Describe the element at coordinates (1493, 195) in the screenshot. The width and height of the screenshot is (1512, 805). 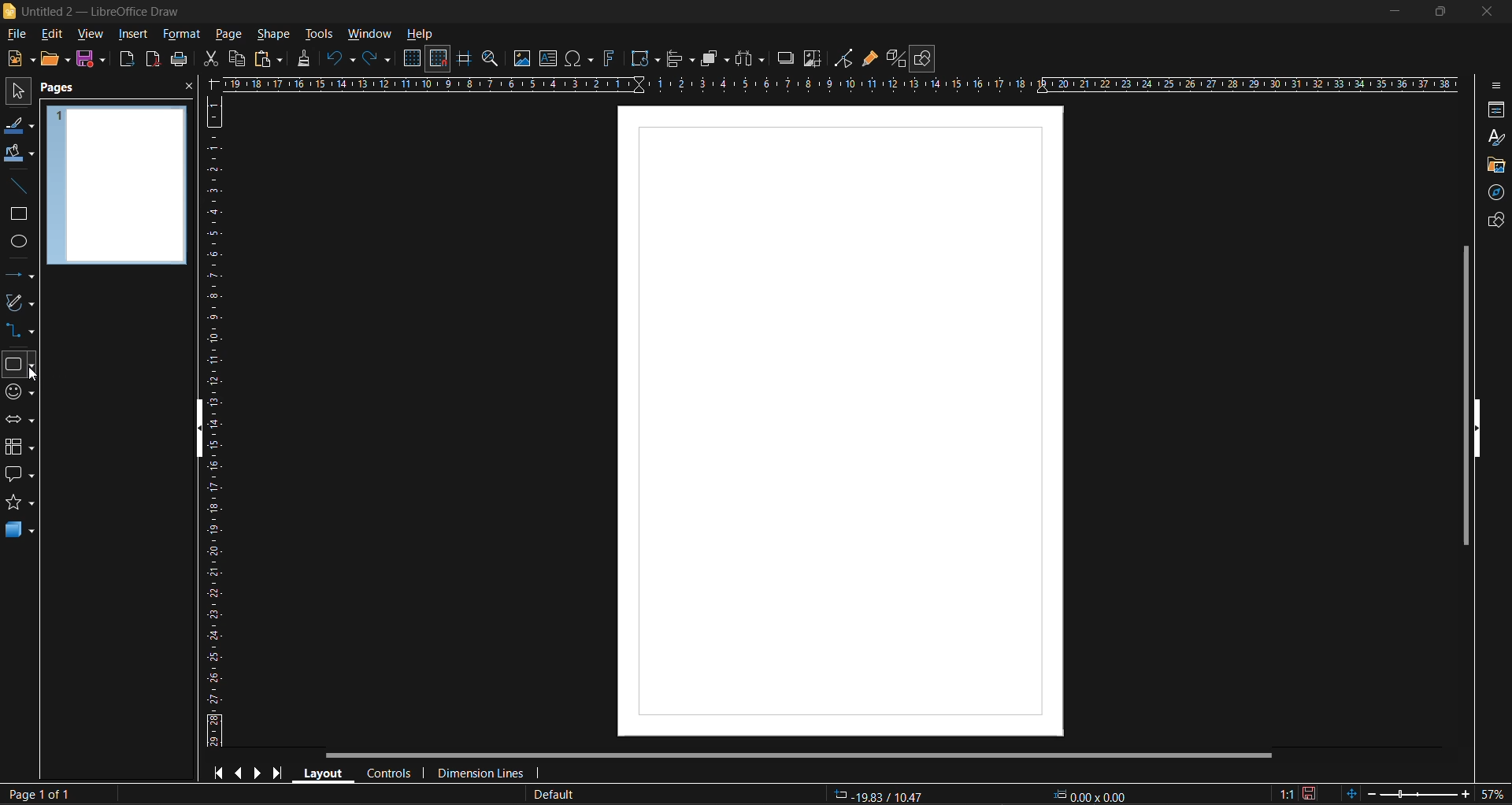
I see `navigator` at that location.